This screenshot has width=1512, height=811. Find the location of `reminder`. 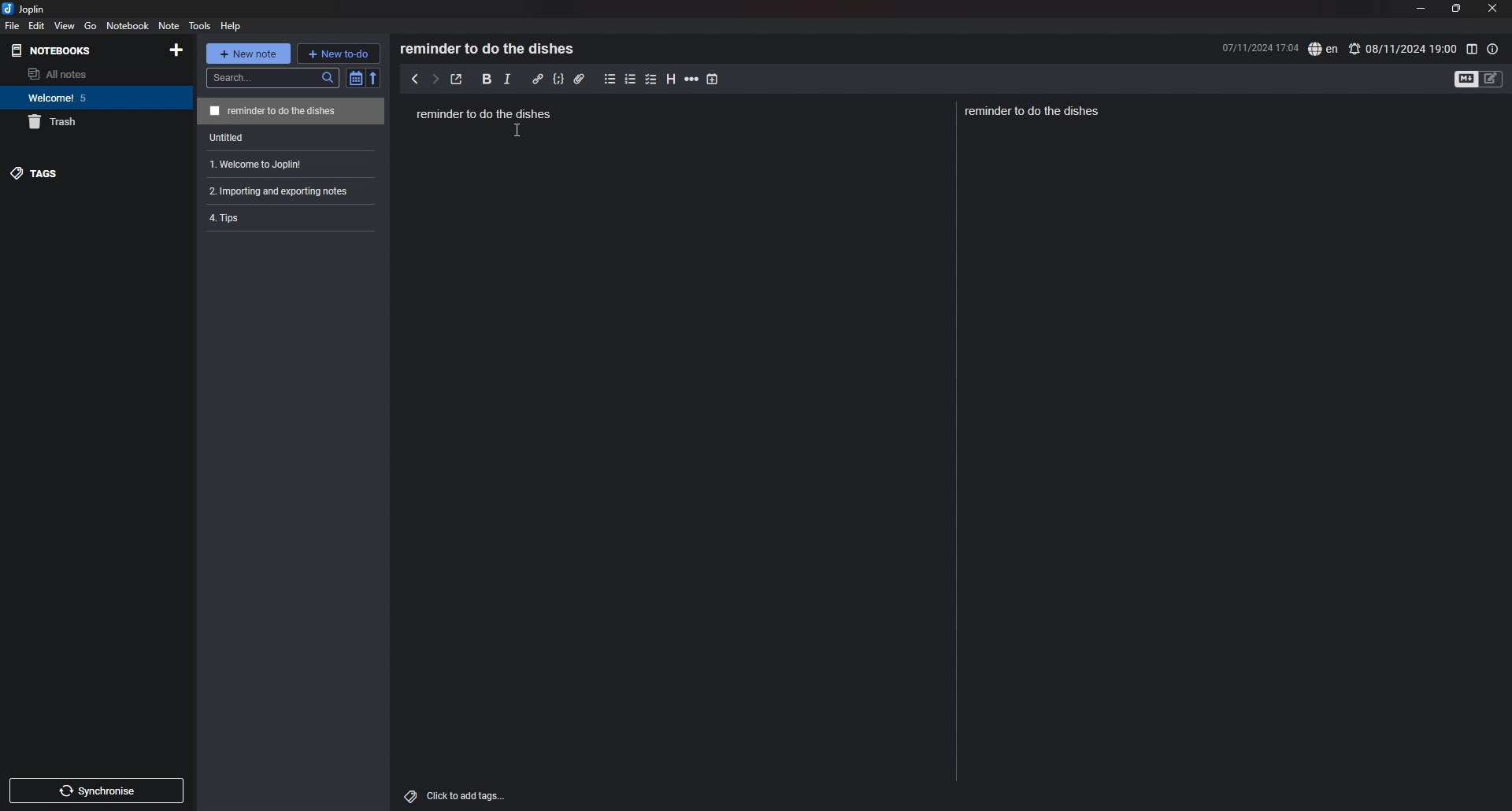

reminder is located at coordinates (488, 48).